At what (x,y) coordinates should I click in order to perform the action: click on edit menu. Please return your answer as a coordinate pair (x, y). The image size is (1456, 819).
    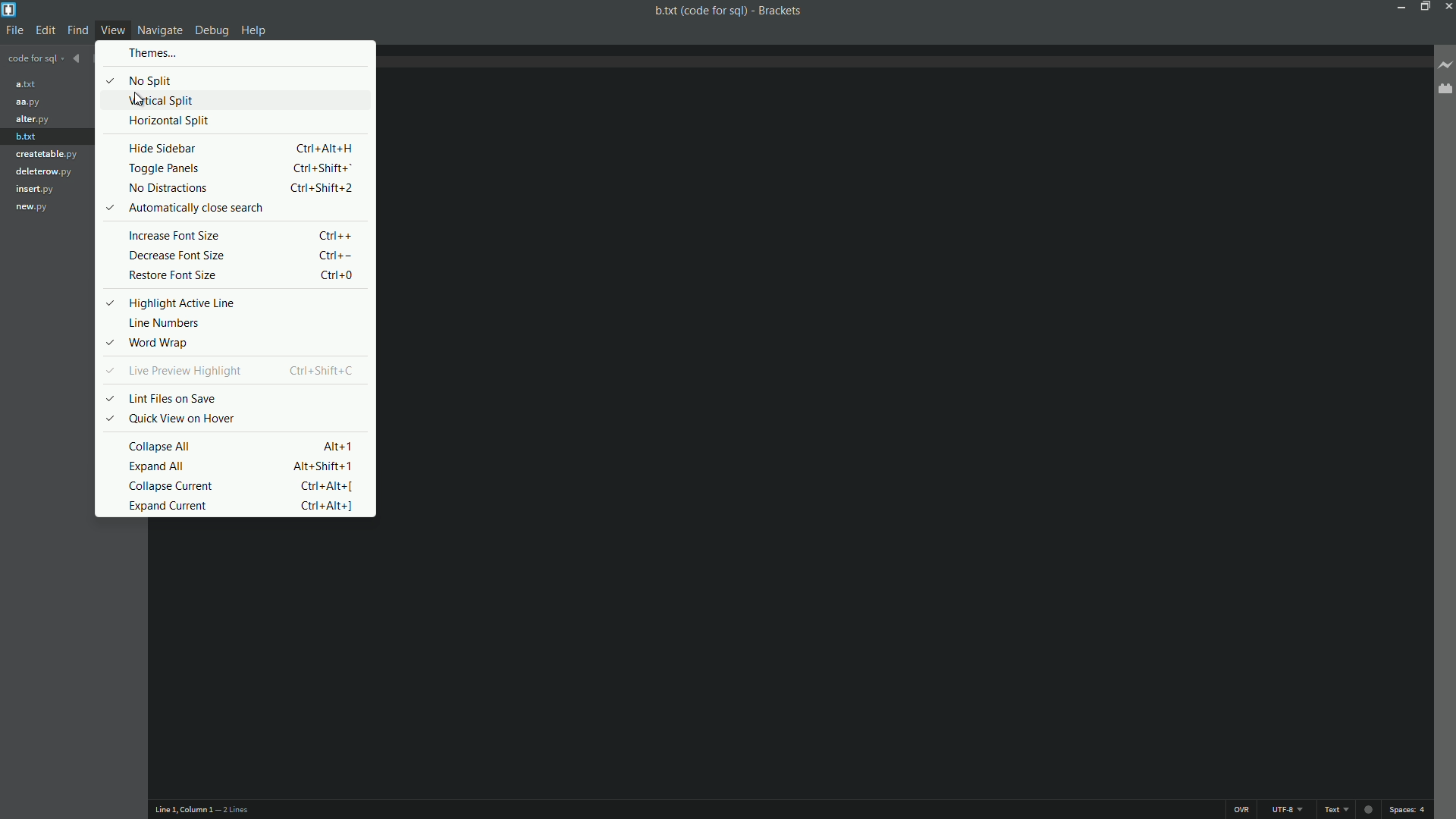
    Looking at the image, I should click on (45, 30).